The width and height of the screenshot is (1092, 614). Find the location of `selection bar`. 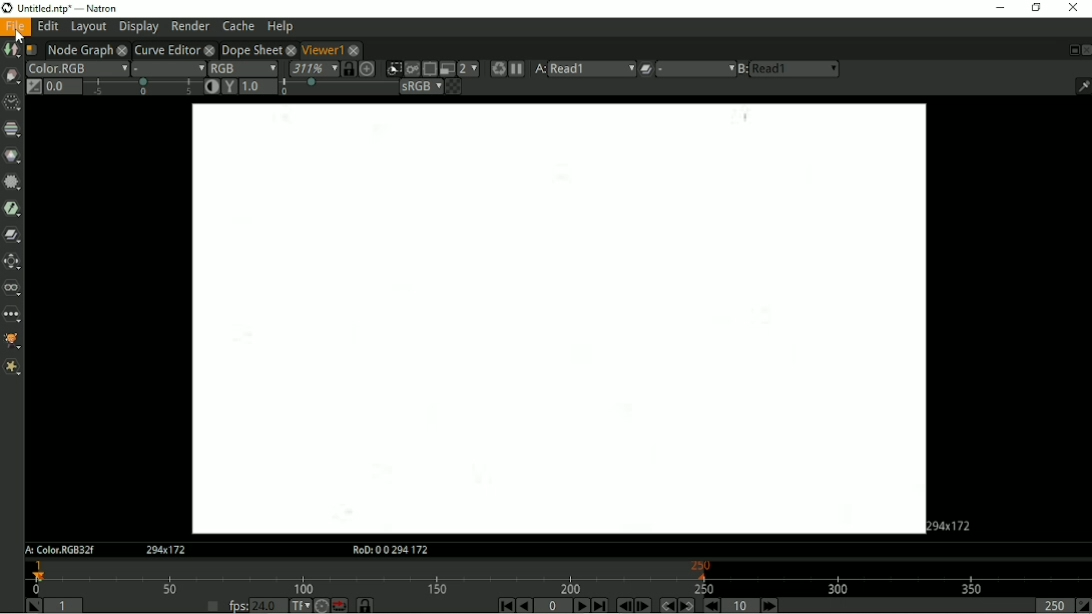

selection bar is located at coordinates (339, 87).